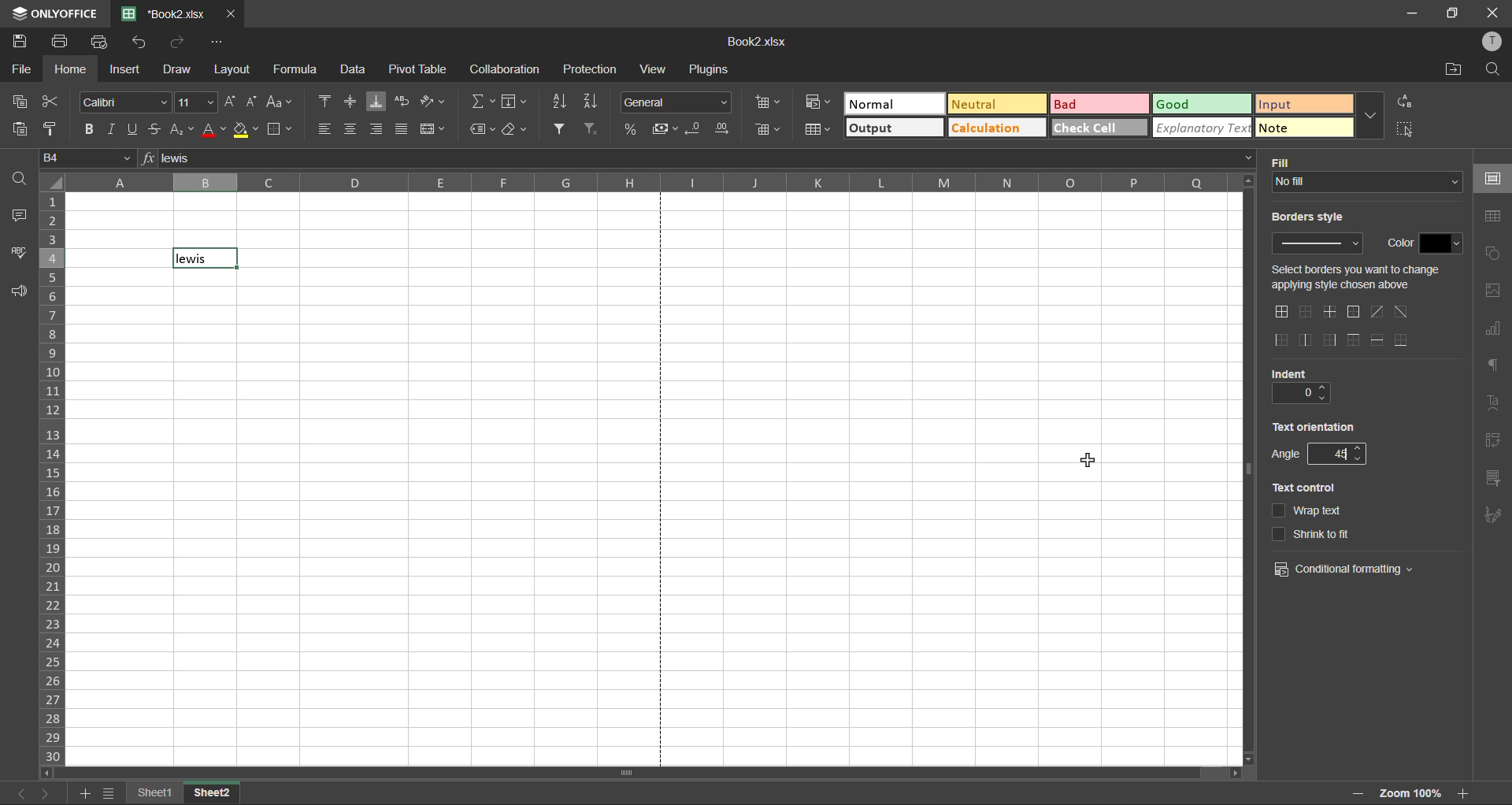 This screenshot has width=1512, height=805. I want to click on zoom in, so click(1356, 793).